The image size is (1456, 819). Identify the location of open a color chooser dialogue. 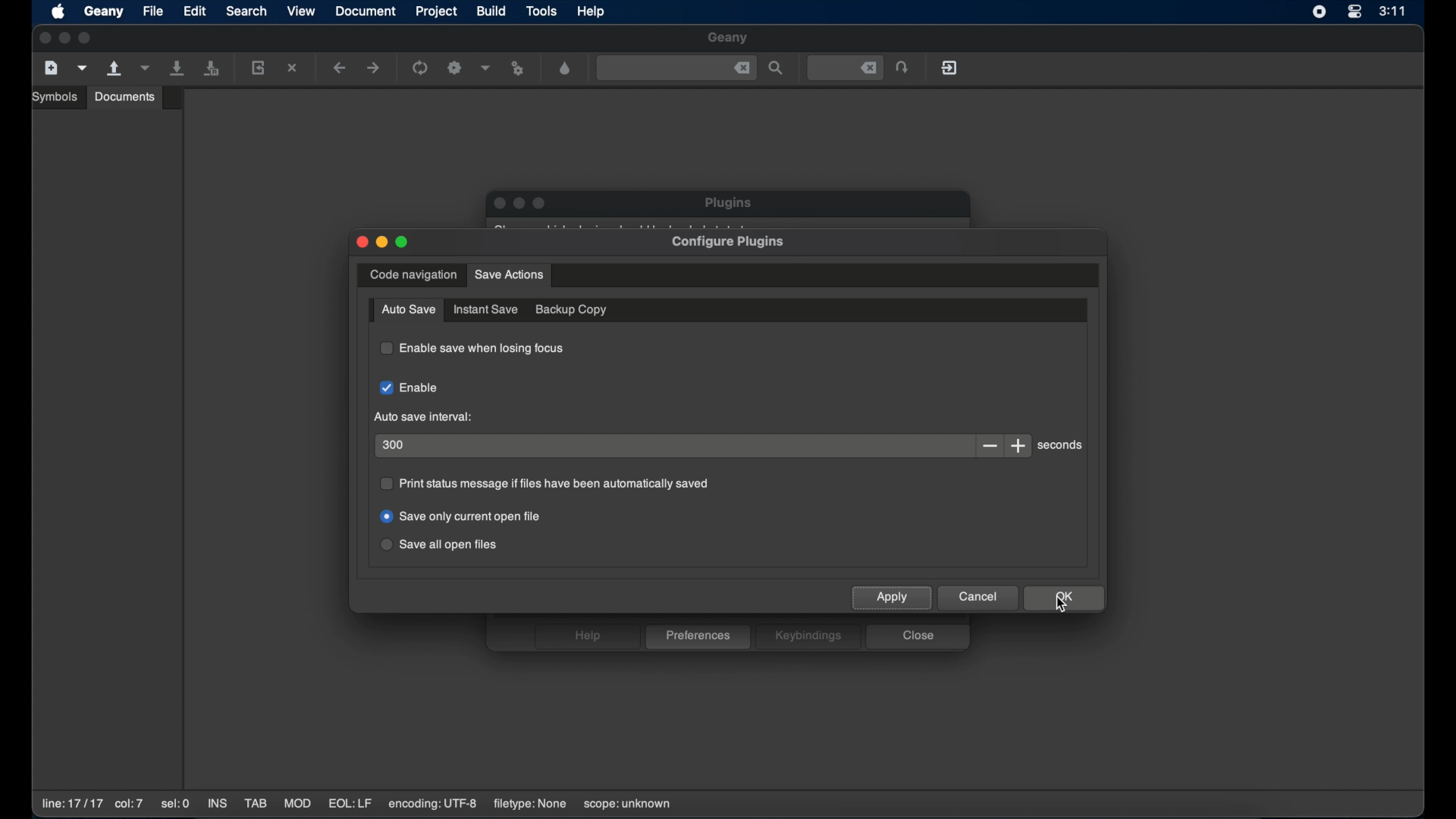
(566, 69).